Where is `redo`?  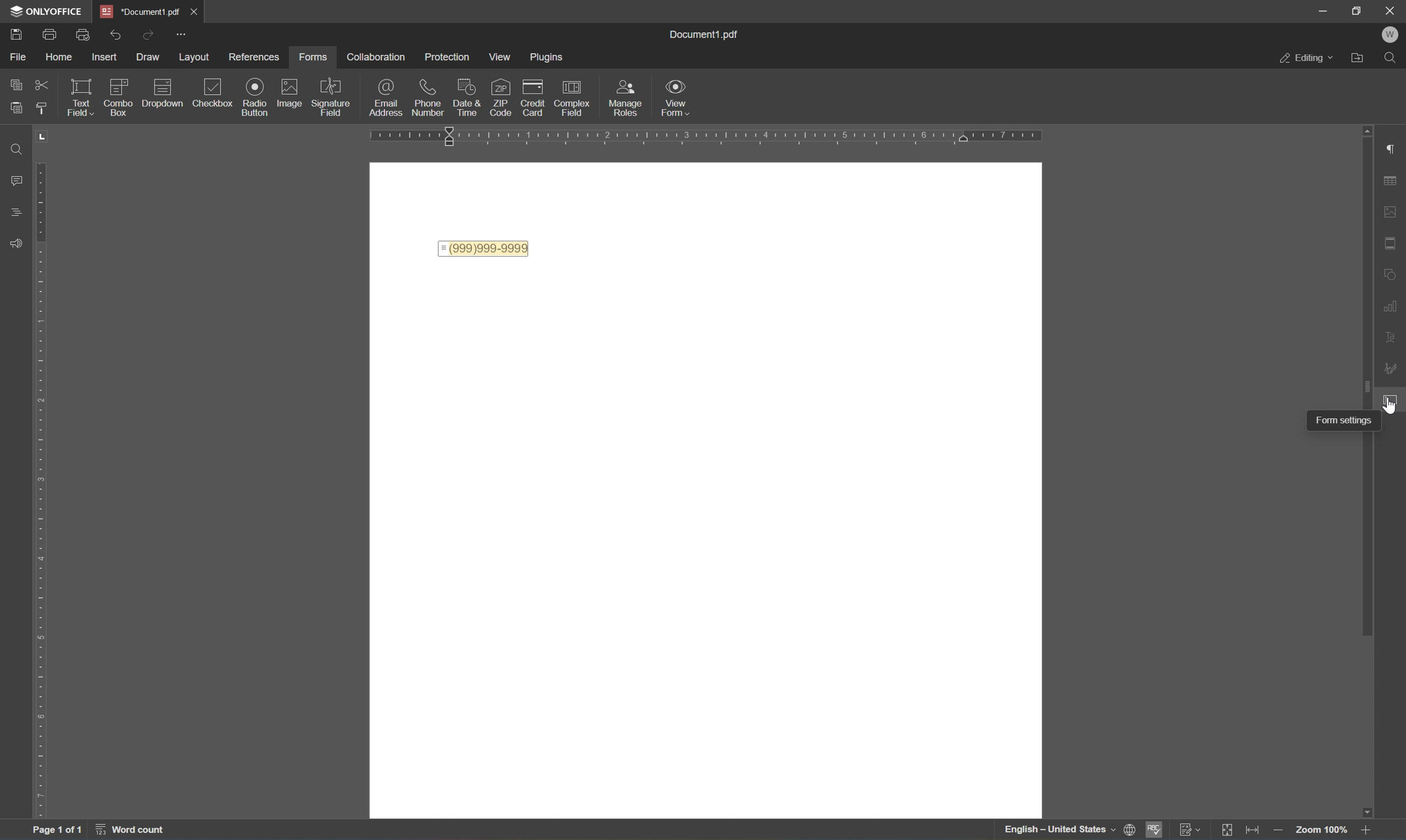 redo is located at coordinates (149, 35).